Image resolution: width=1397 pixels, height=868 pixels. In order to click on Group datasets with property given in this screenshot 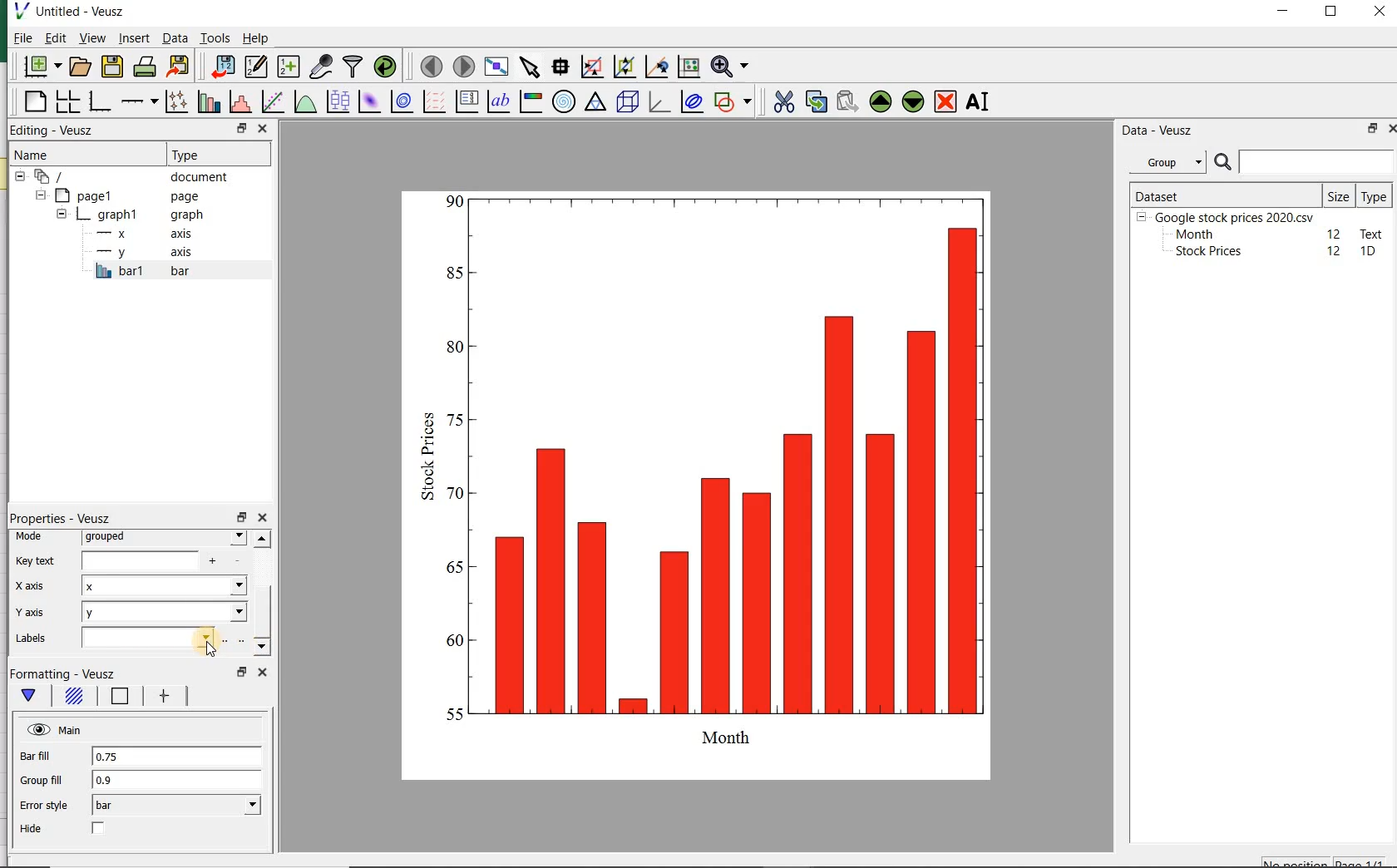, I will do `click(1163, 162)`.